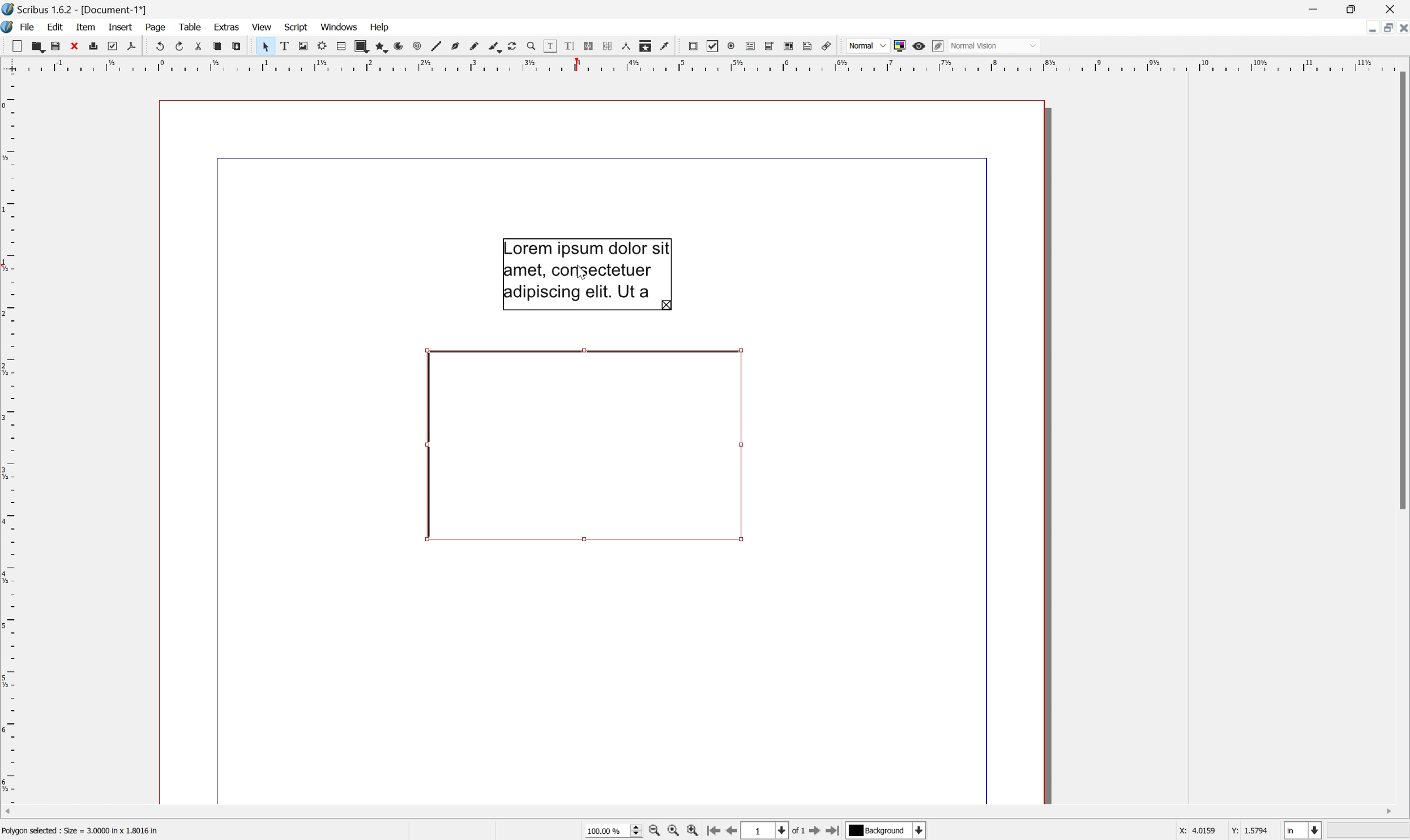 The image size is (1410, 840). I want to click on Zoom in or out, so click(529, 46).